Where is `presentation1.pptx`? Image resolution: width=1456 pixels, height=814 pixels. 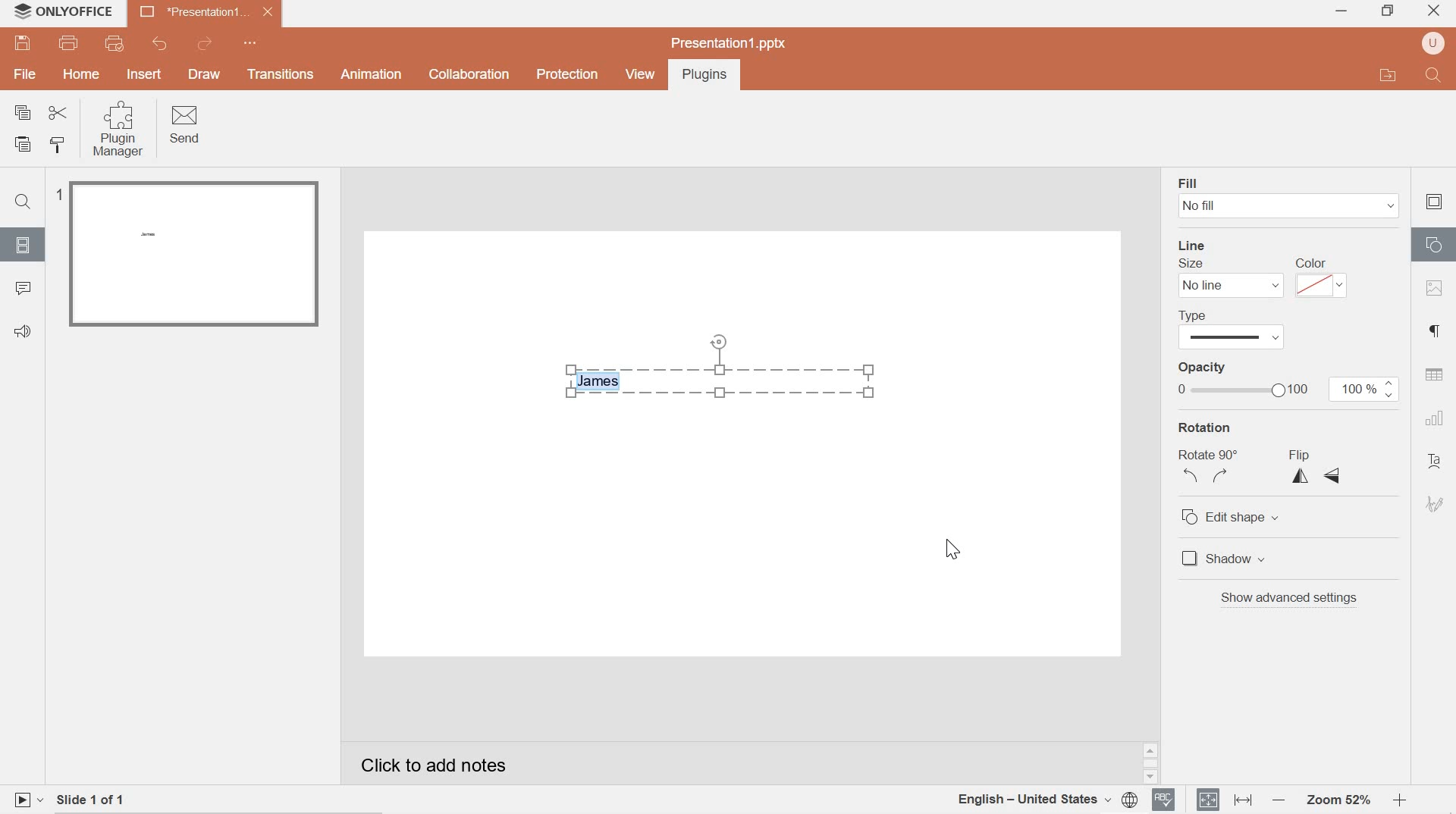 presentation1.pptx is located at coordinates (728, 42).